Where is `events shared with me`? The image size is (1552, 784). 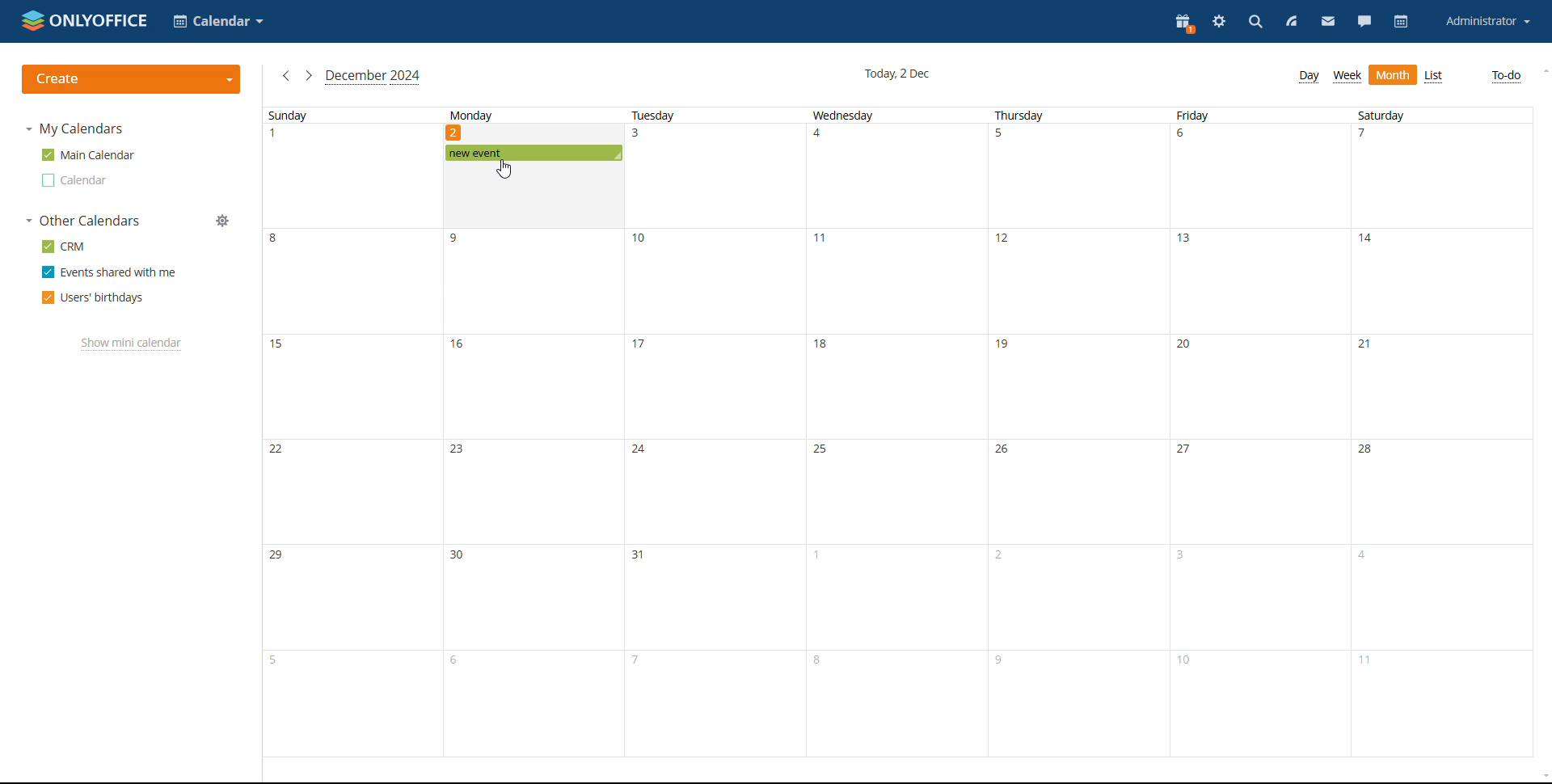 events shared with me is located at coordinates (108, 272).